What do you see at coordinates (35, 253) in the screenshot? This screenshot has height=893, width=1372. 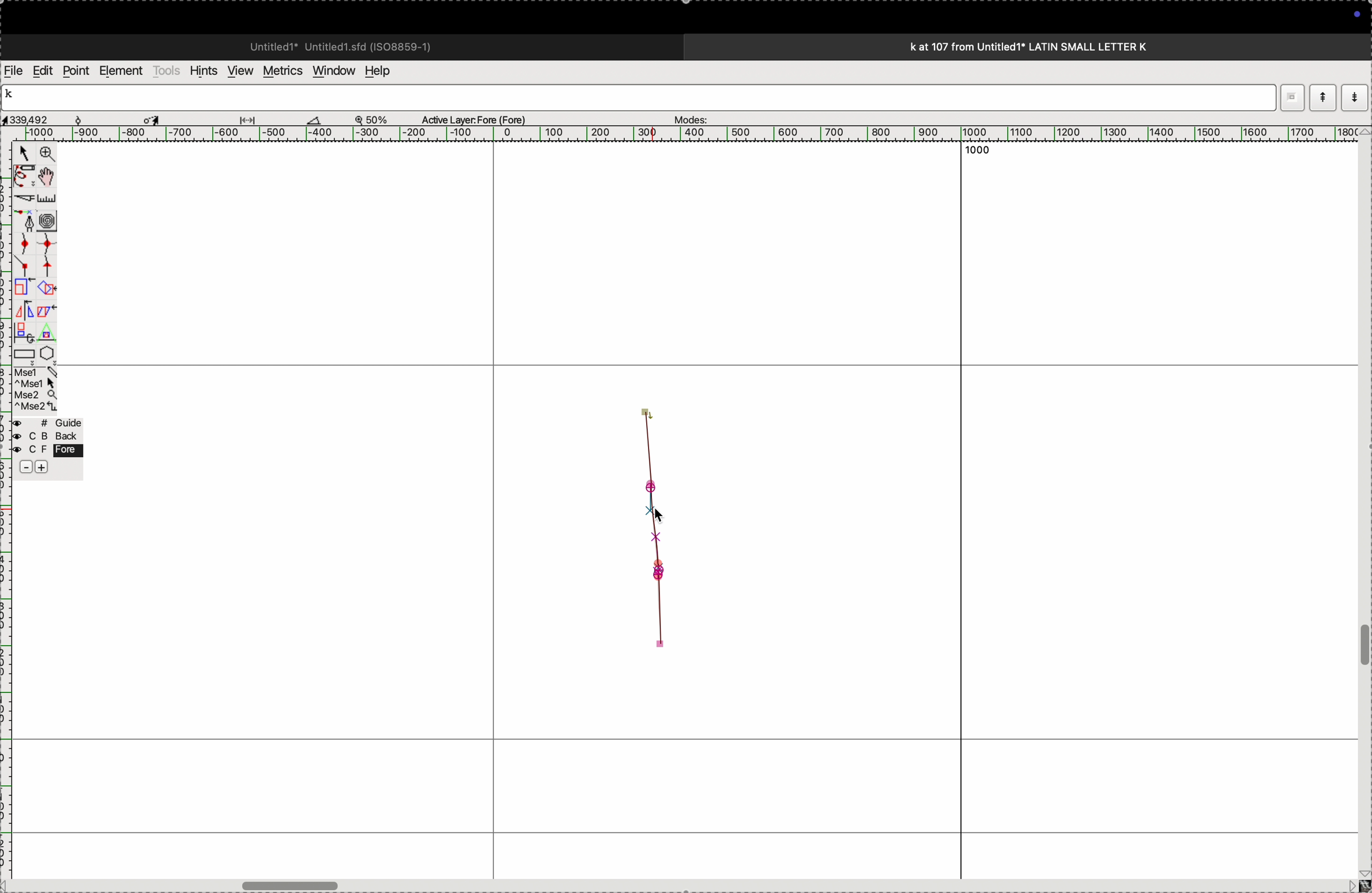 I see `spline` at bounding box center [35, 253].